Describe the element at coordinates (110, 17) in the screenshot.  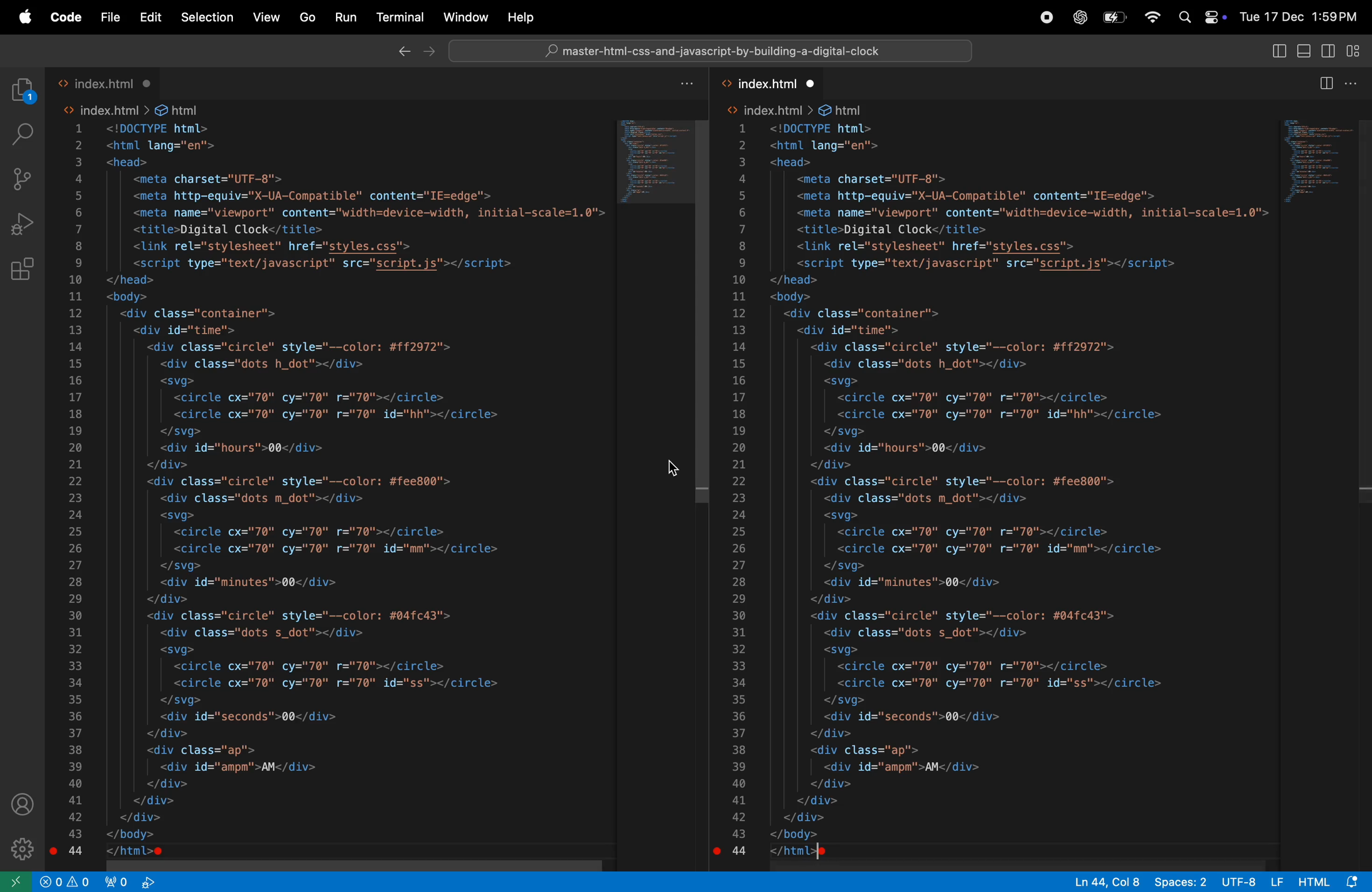
I see `file` at that location.